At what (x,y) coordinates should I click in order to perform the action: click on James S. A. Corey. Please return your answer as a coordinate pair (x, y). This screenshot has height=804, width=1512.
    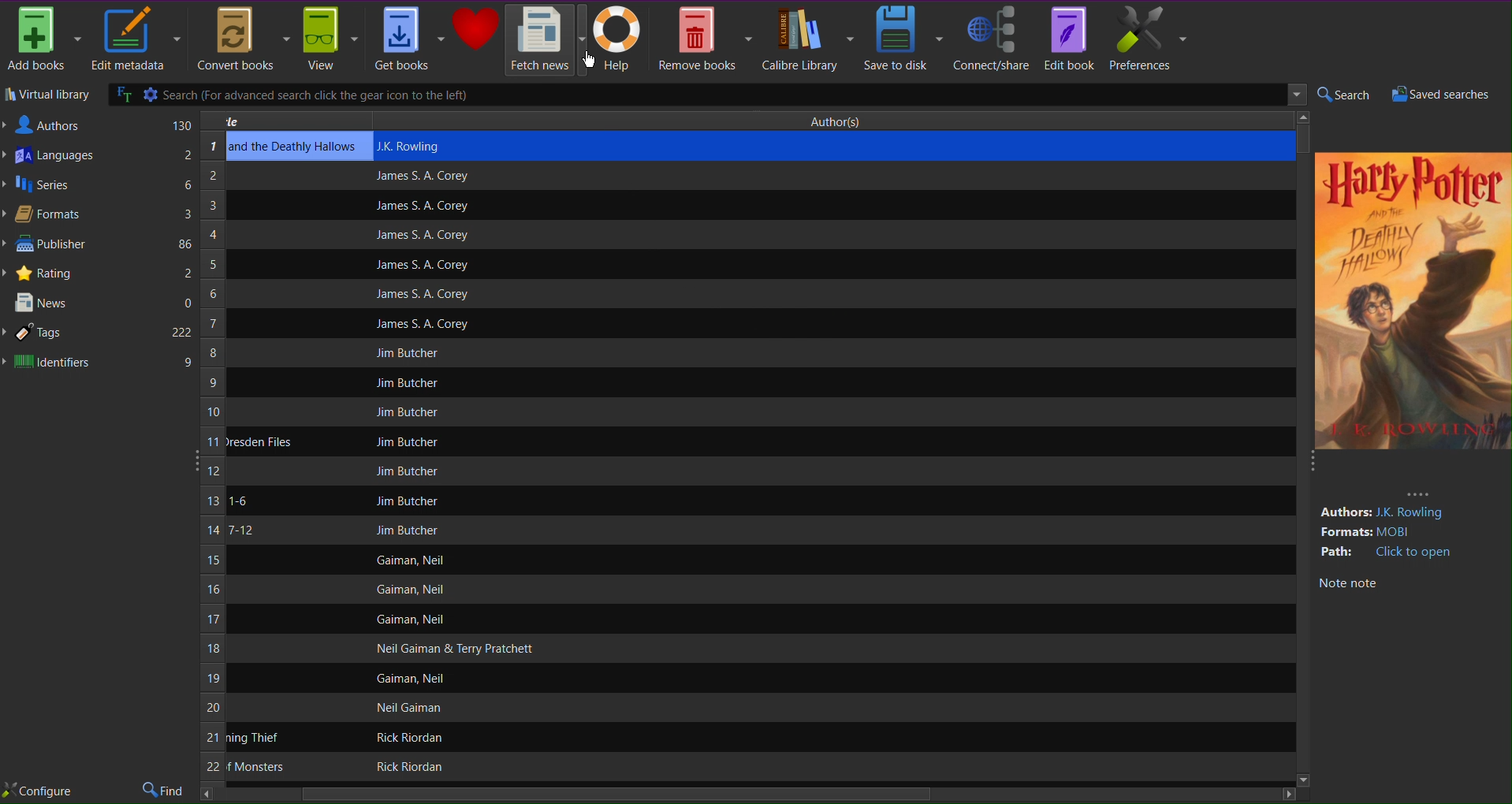
    Looking at the image, I should click on (422, 177).